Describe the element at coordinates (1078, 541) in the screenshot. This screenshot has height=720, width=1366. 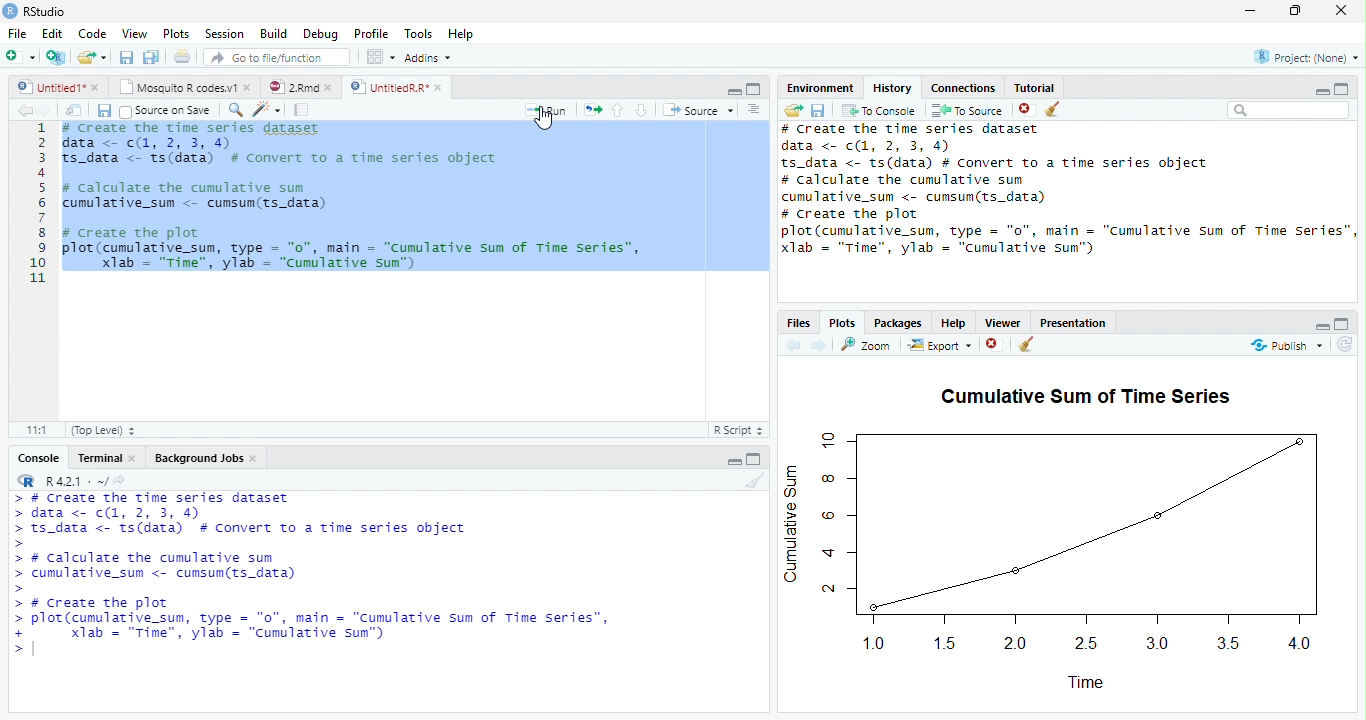
I see `Chart` at that location.